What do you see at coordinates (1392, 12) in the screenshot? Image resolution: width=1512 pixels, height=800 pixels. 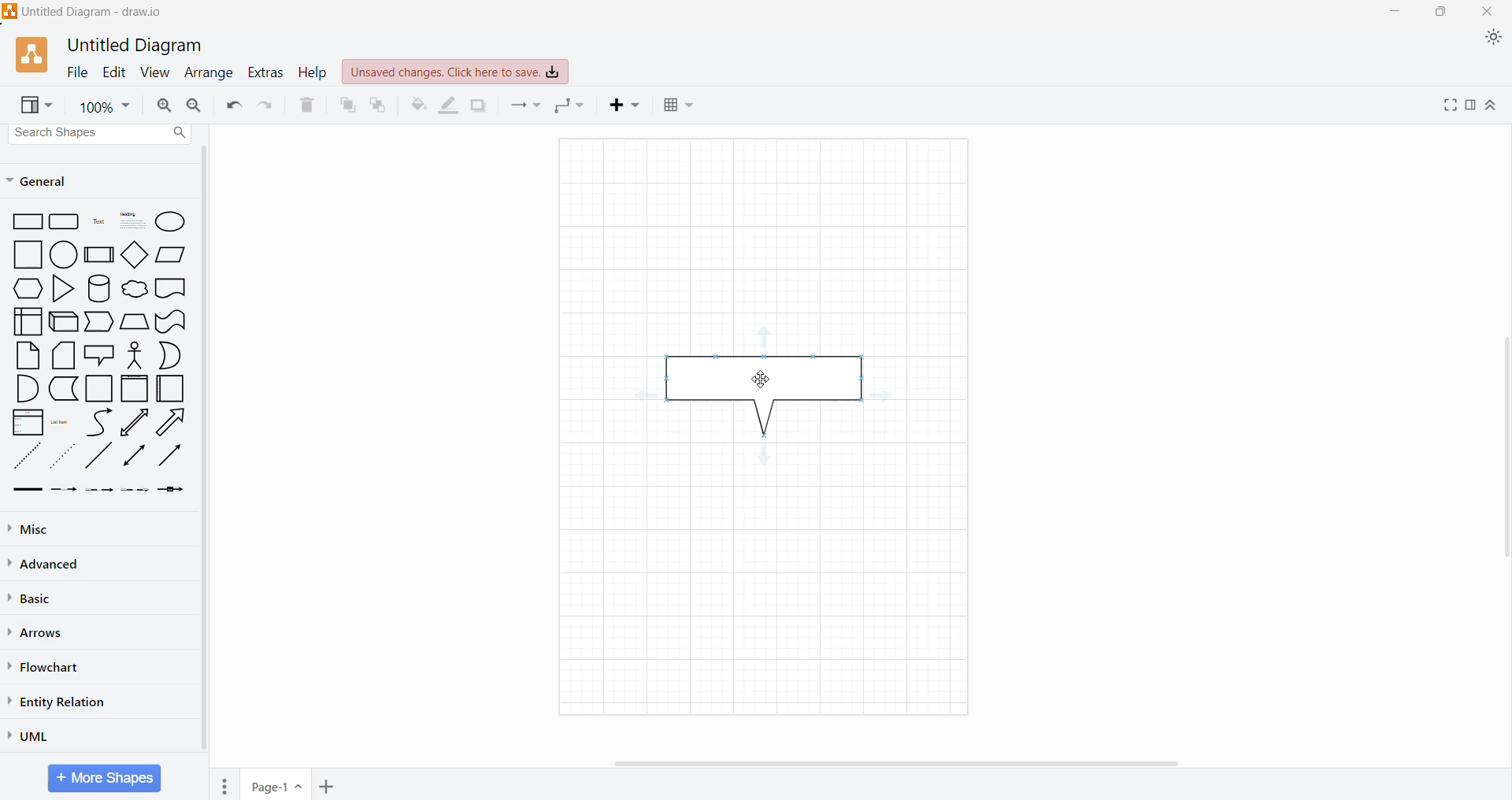 I see `Minimize` at bounding box center [1392, 12].